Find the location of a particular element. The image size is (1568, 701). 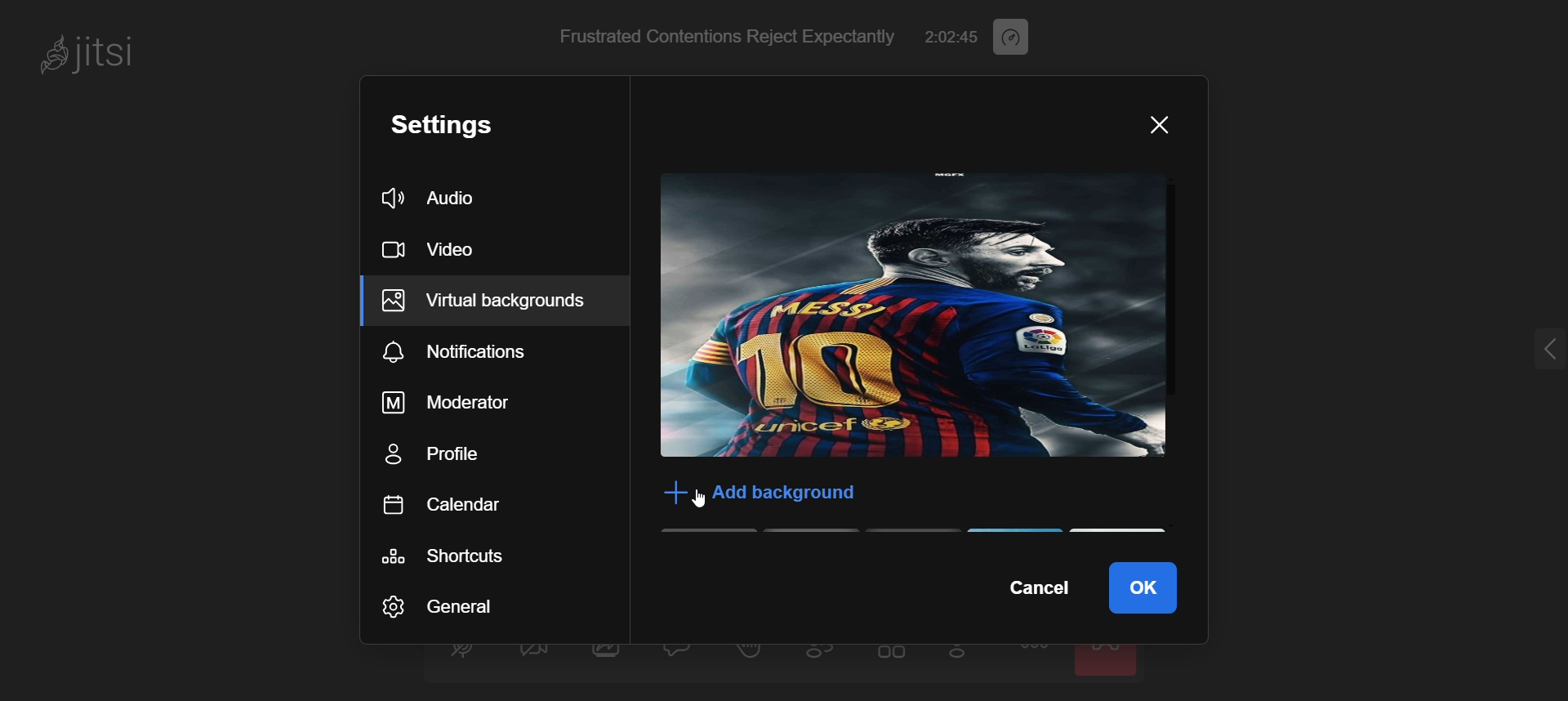

shortcuts is located at coordinates (474, 551).